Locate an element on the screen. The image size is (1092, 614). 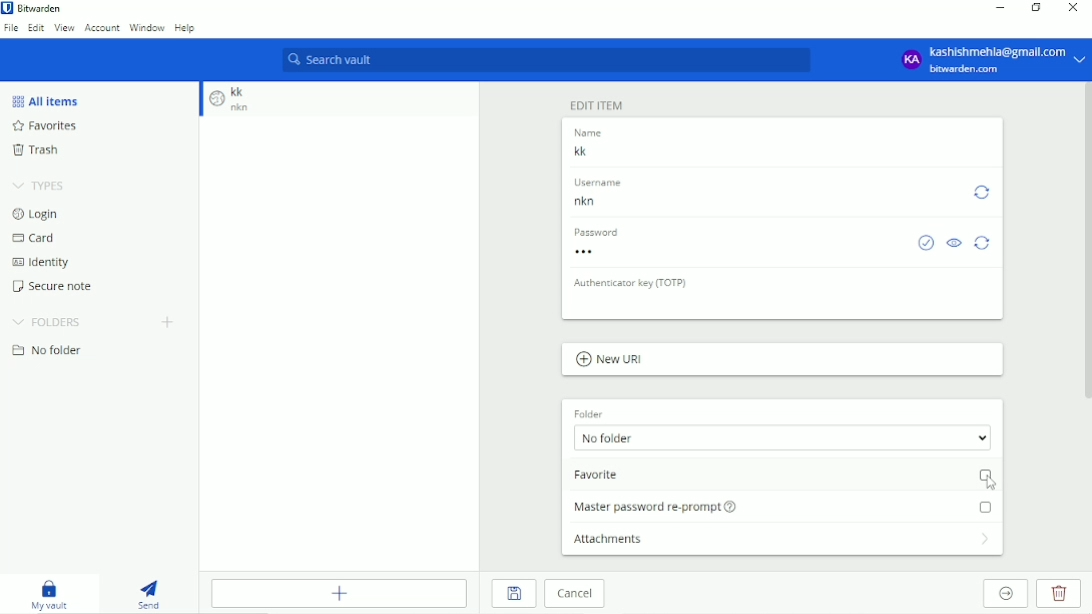
Secure note is located at coordinates (55, 287).